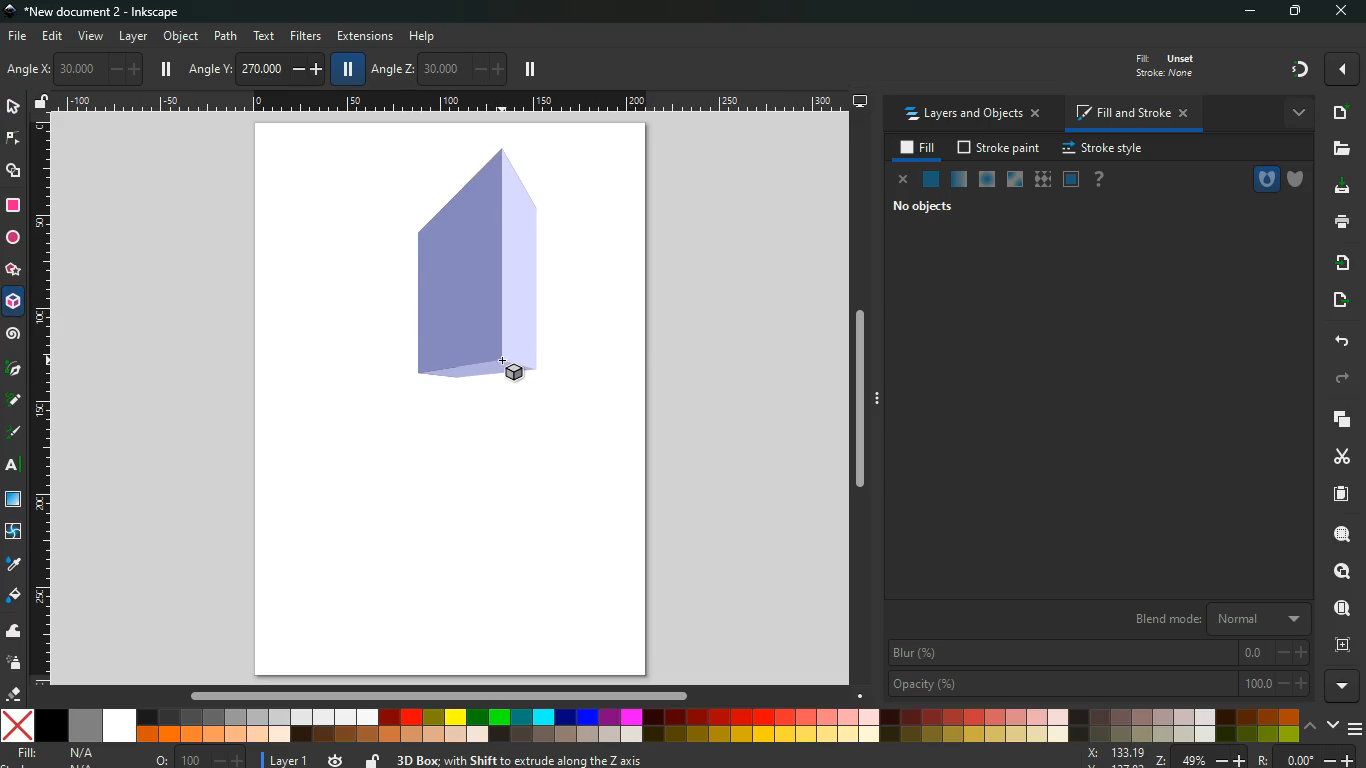 The image size is (1366, 768). Describe the element at coordinates (12, 563) in the screenshot. I see `drop` at that location.